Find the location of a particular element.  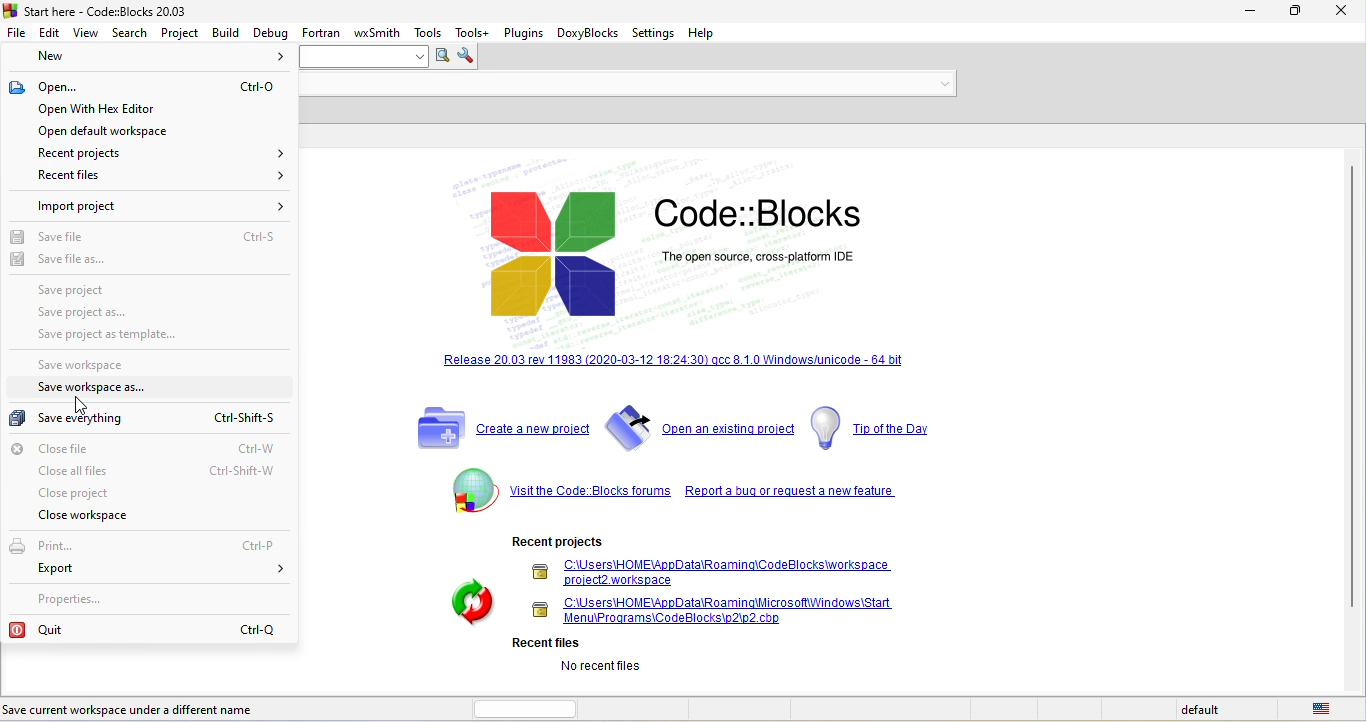

The open source, cross-platform IDE Release 20.03 rev 11983 (2020-03-12 18:24:30) gcc 8.1.0 Windows/unicode - 64 bit is located at coordinates (667, 269).